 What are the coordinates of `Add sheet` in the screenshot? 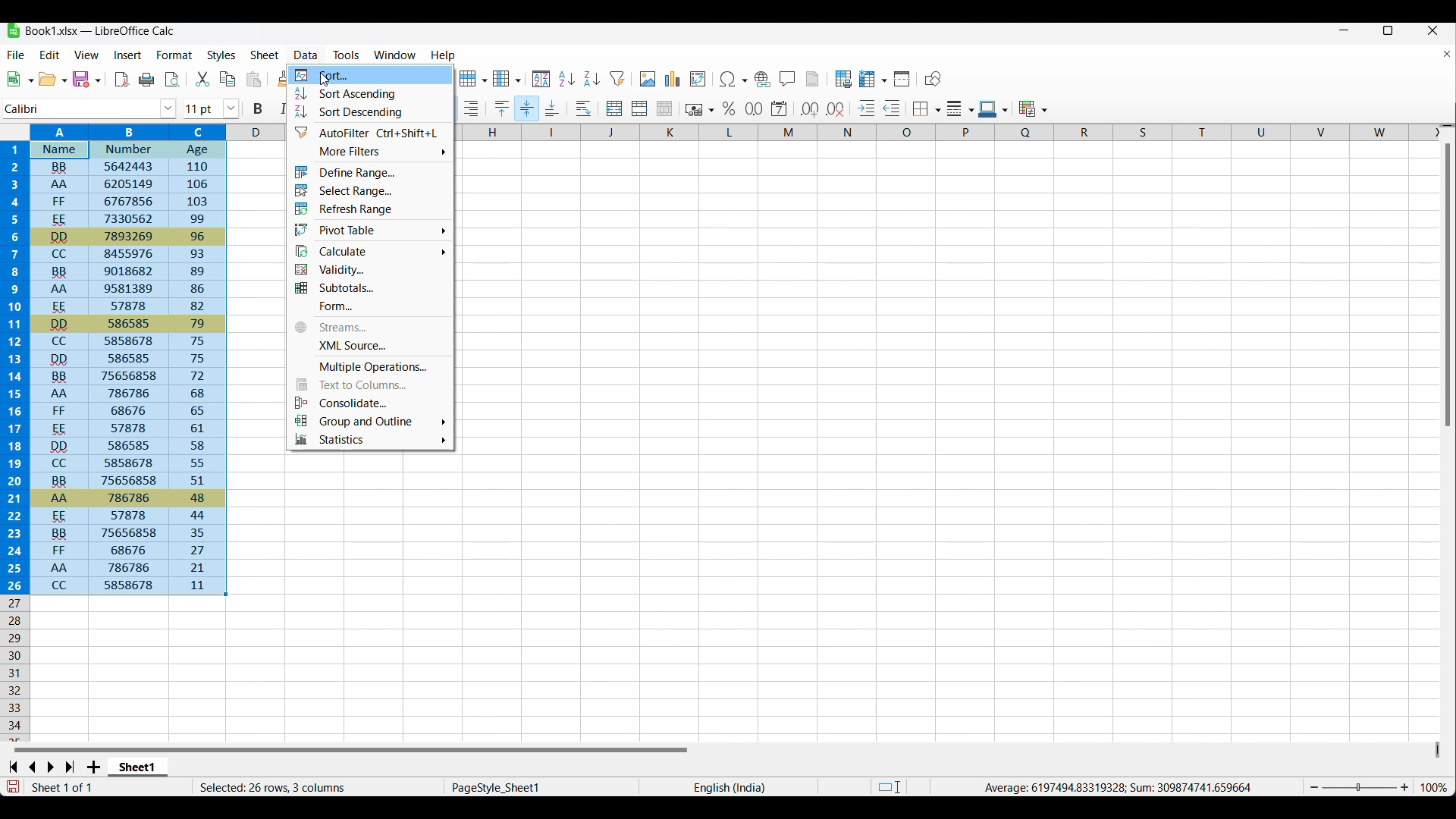 It's located at (93, 767).